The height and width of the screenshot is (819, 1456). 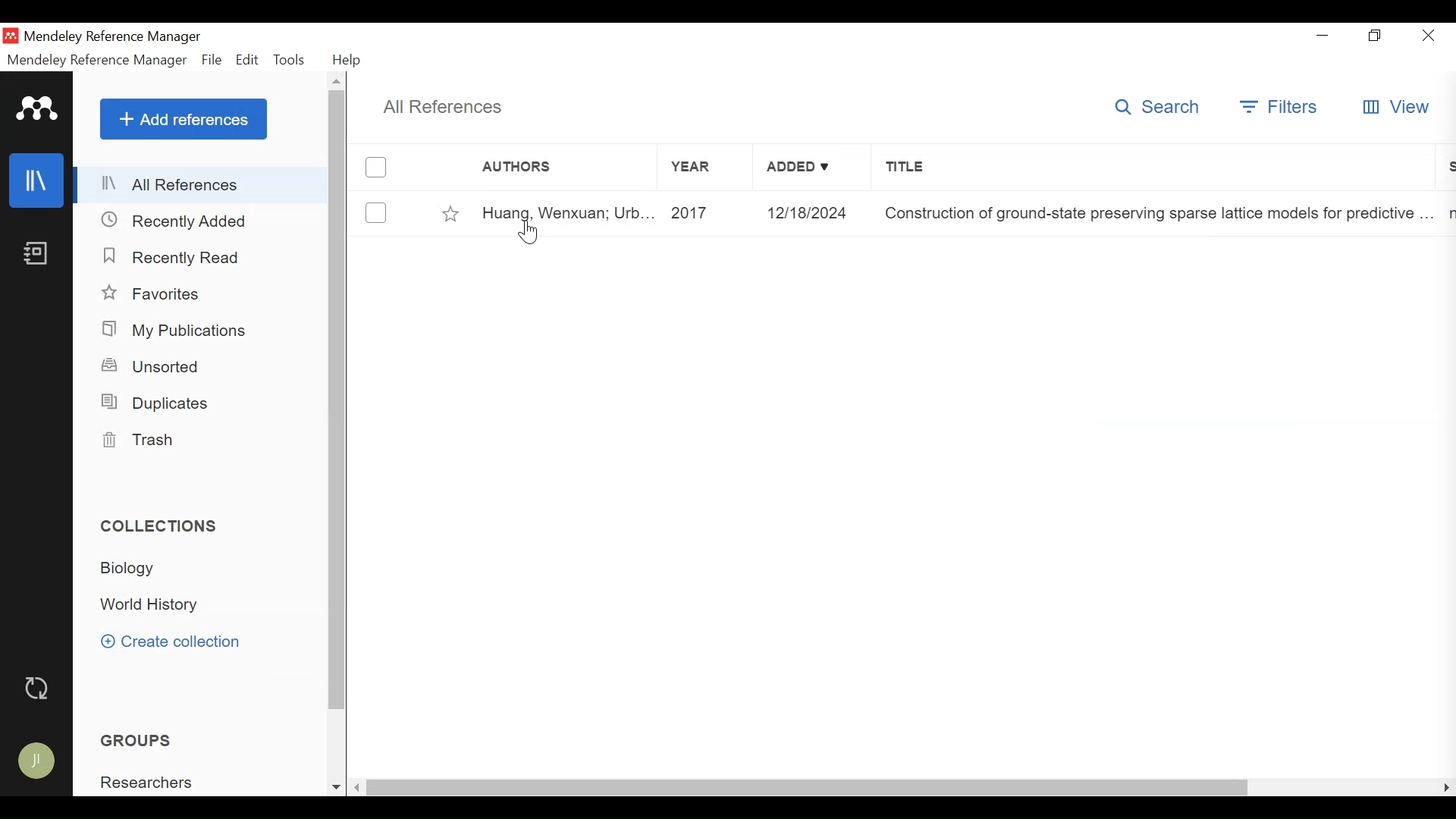 What do you see at coordinates (1152, 166) in the screenshot?
I see `Title` at bounding box center [1152, 166].